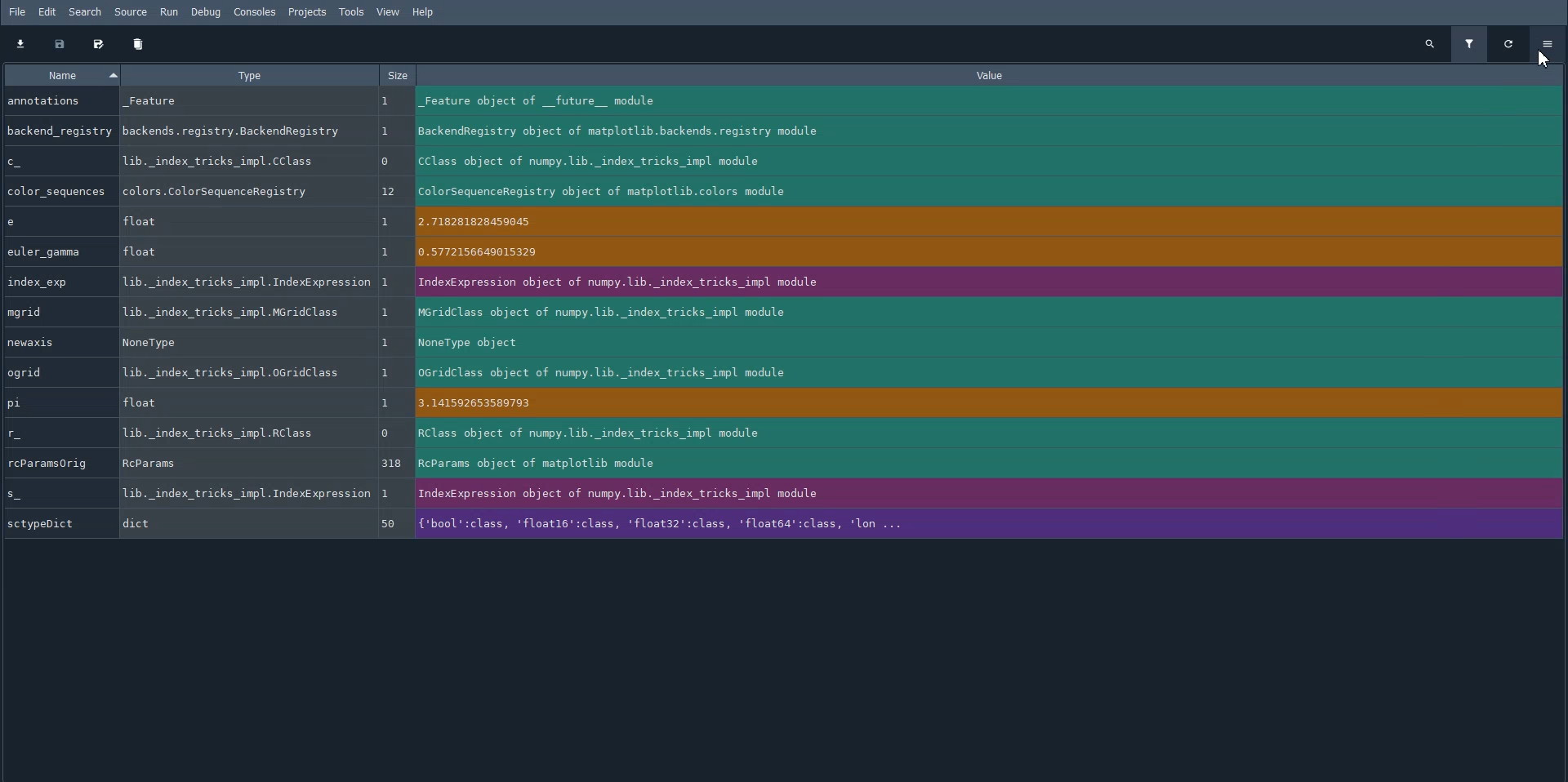 This screenshot has height=782, width=1568. I want to click on RClass object of numpy.lib._index_tricks_impl module, so click(991, 434).